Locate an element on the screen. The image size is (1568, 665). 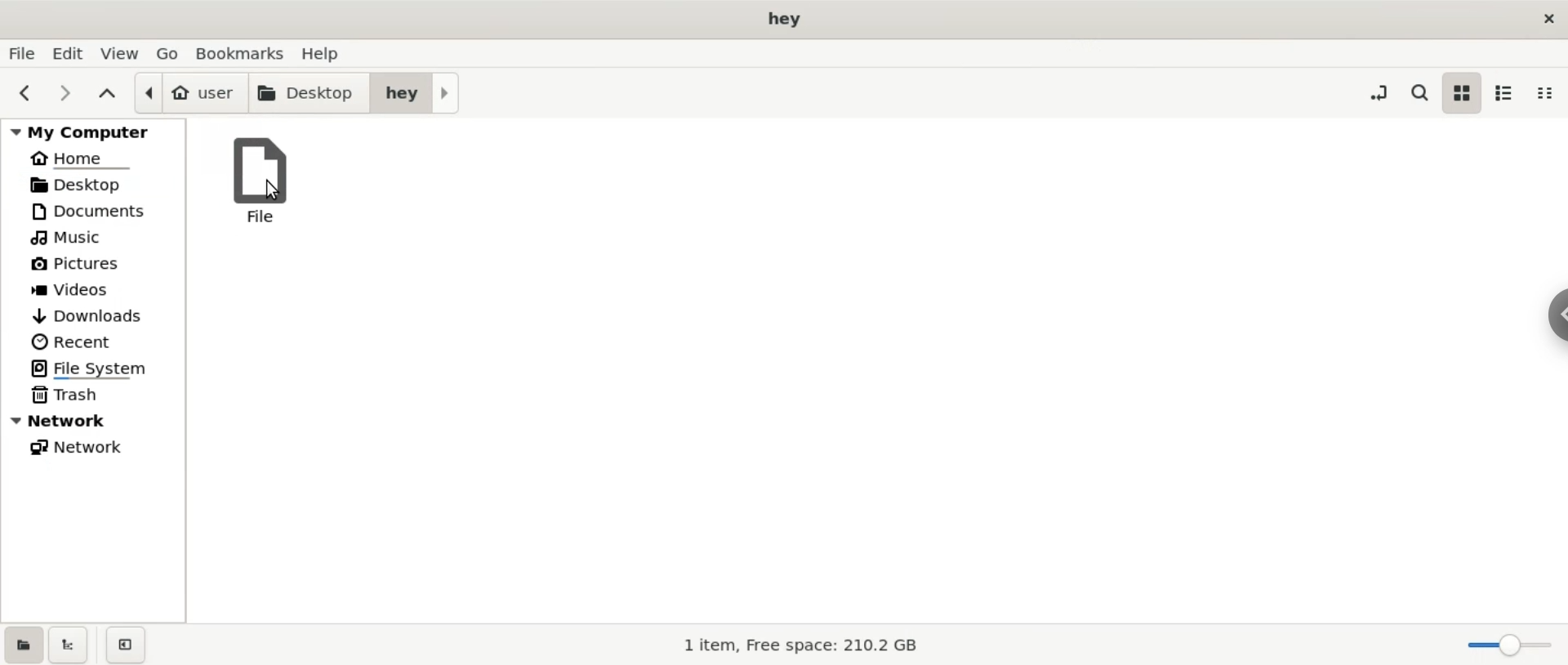
videos is located at coordinates (98, 287).